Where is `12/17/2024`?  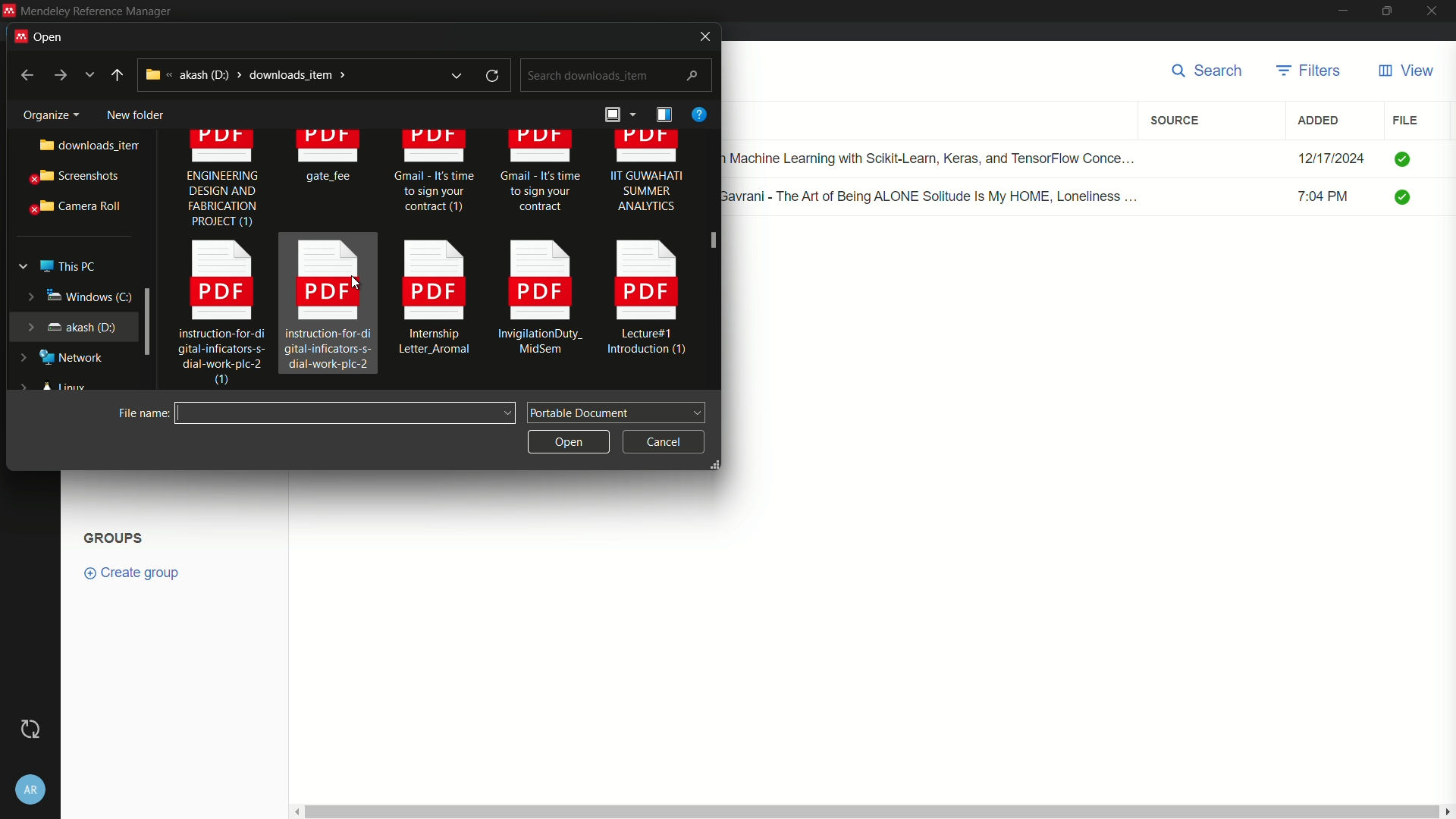 12/17/2024 is located at coordinates (1331, 158).